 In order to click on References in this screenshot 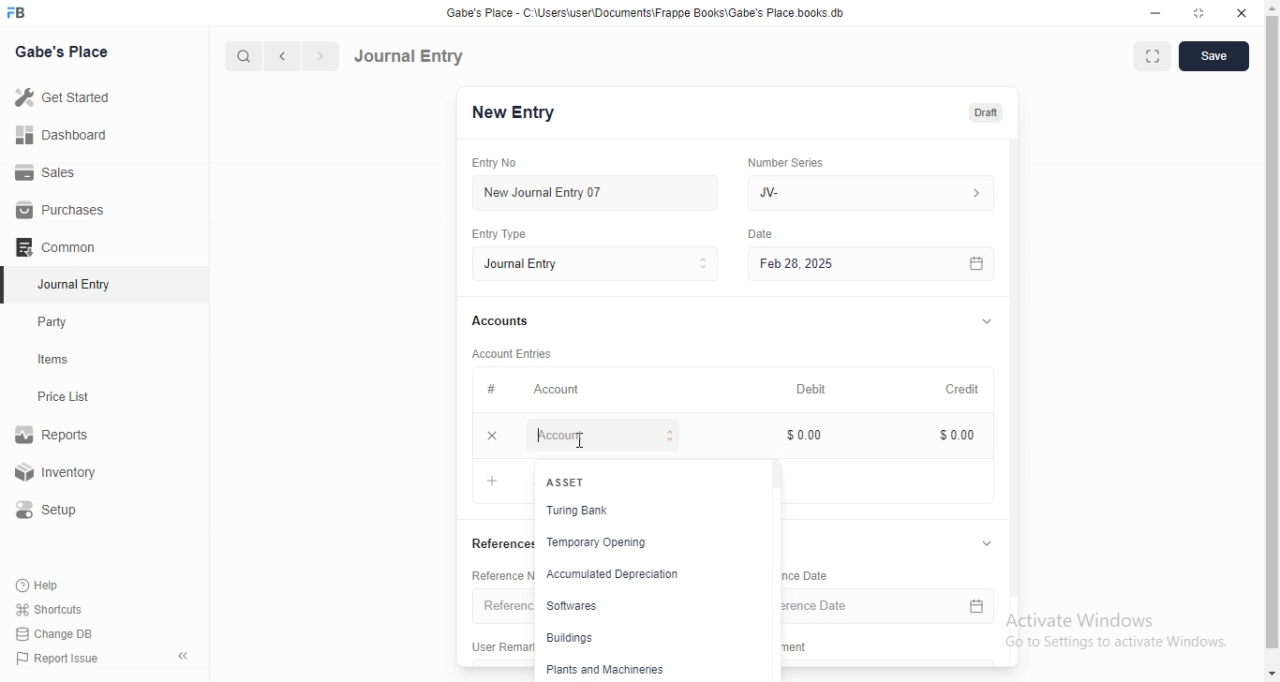, I will do `click(499, 545)`.